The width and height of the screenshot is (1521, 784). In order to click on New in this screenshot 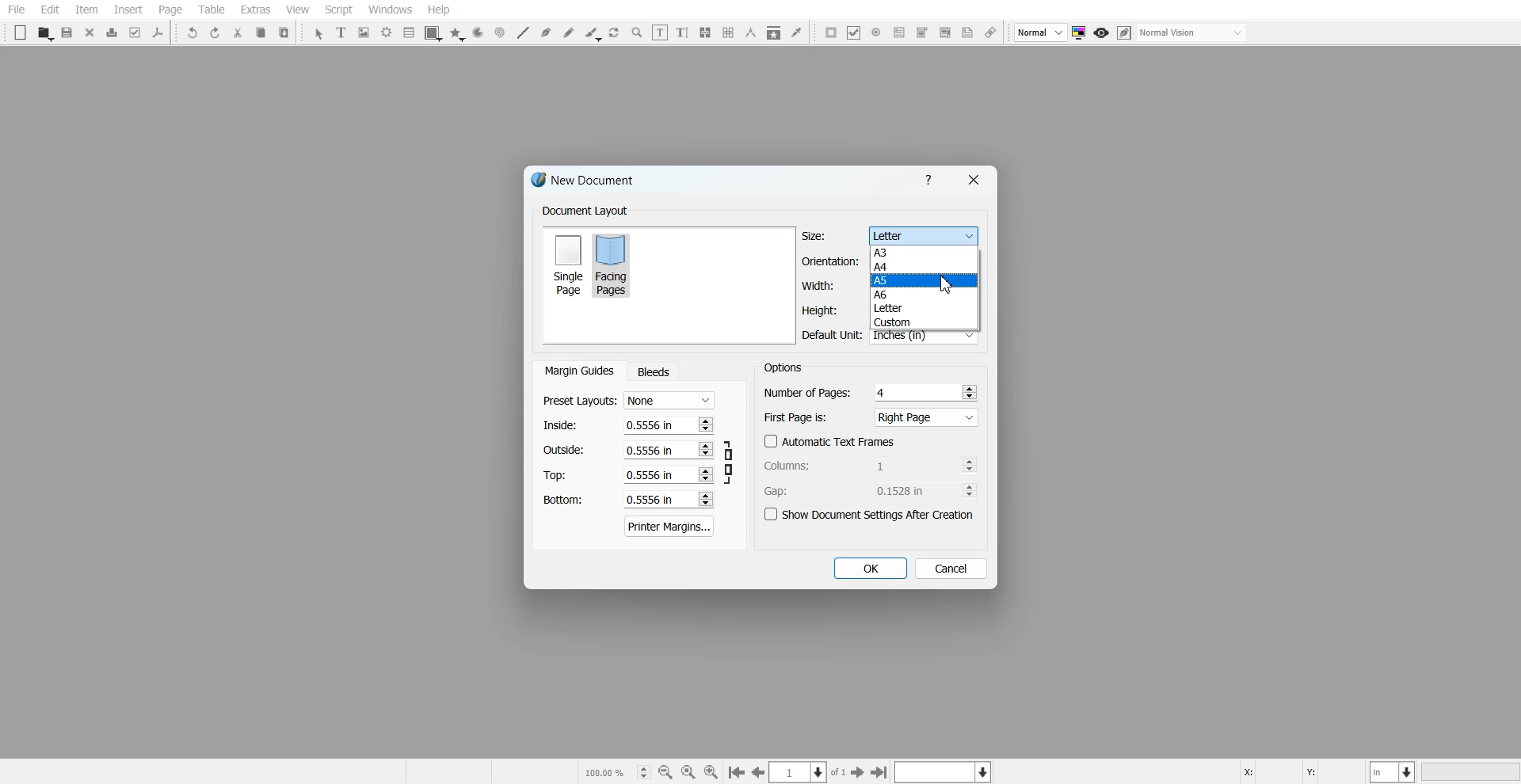, I will do `click(21, 32)`.